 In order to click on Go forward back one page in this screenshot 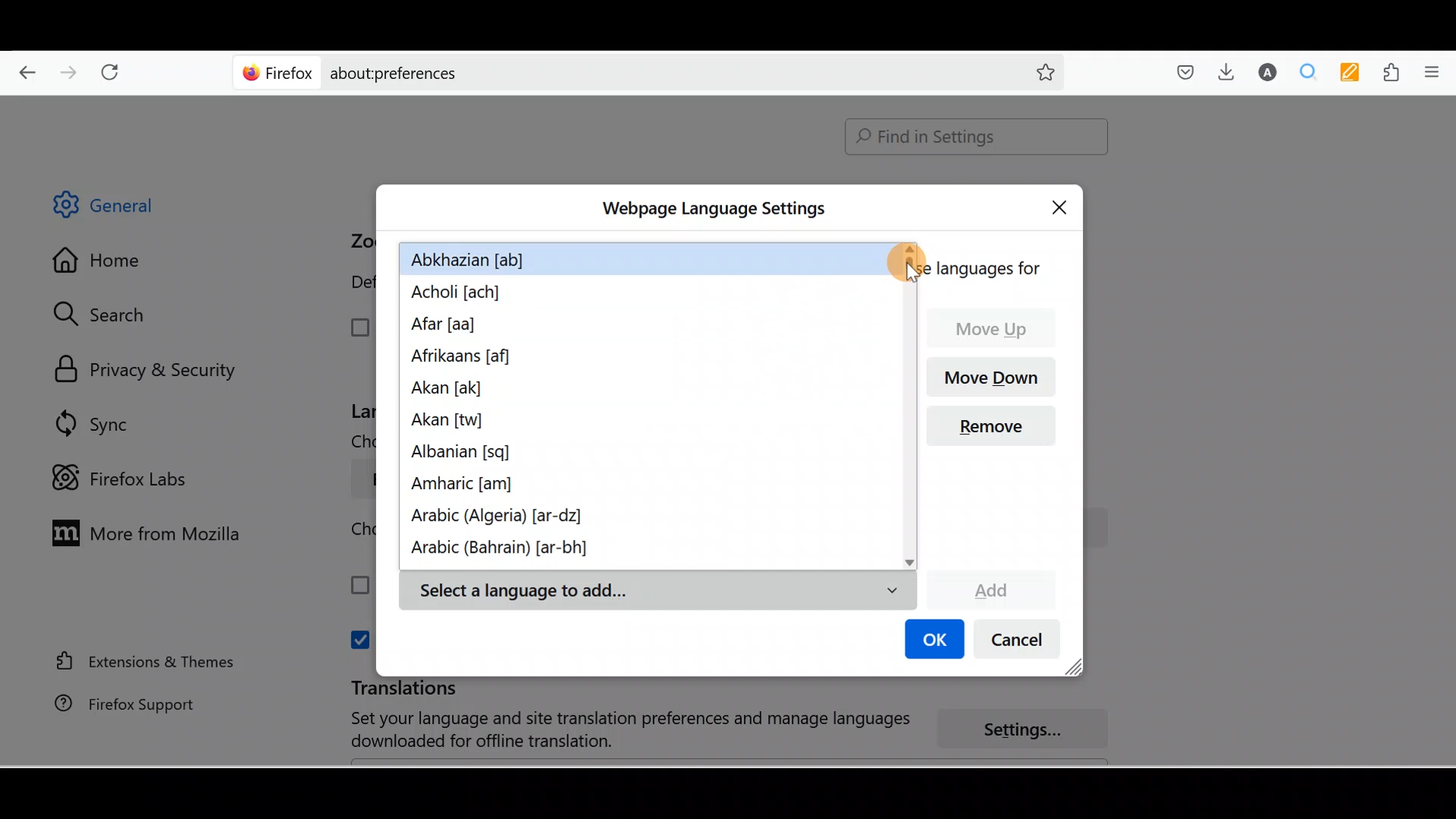, I will do `click(71, 71)`.